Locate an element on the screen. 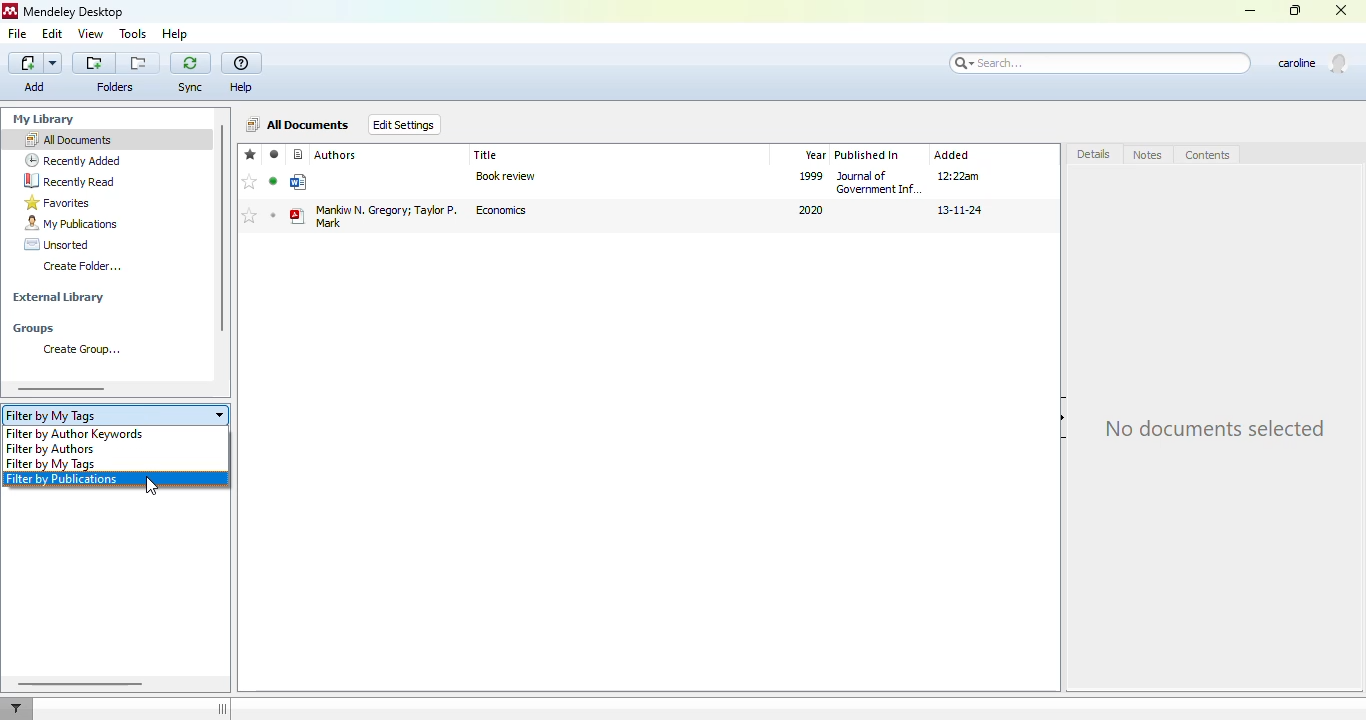  horizontal scroll bar is located at coordinates (82, 683).